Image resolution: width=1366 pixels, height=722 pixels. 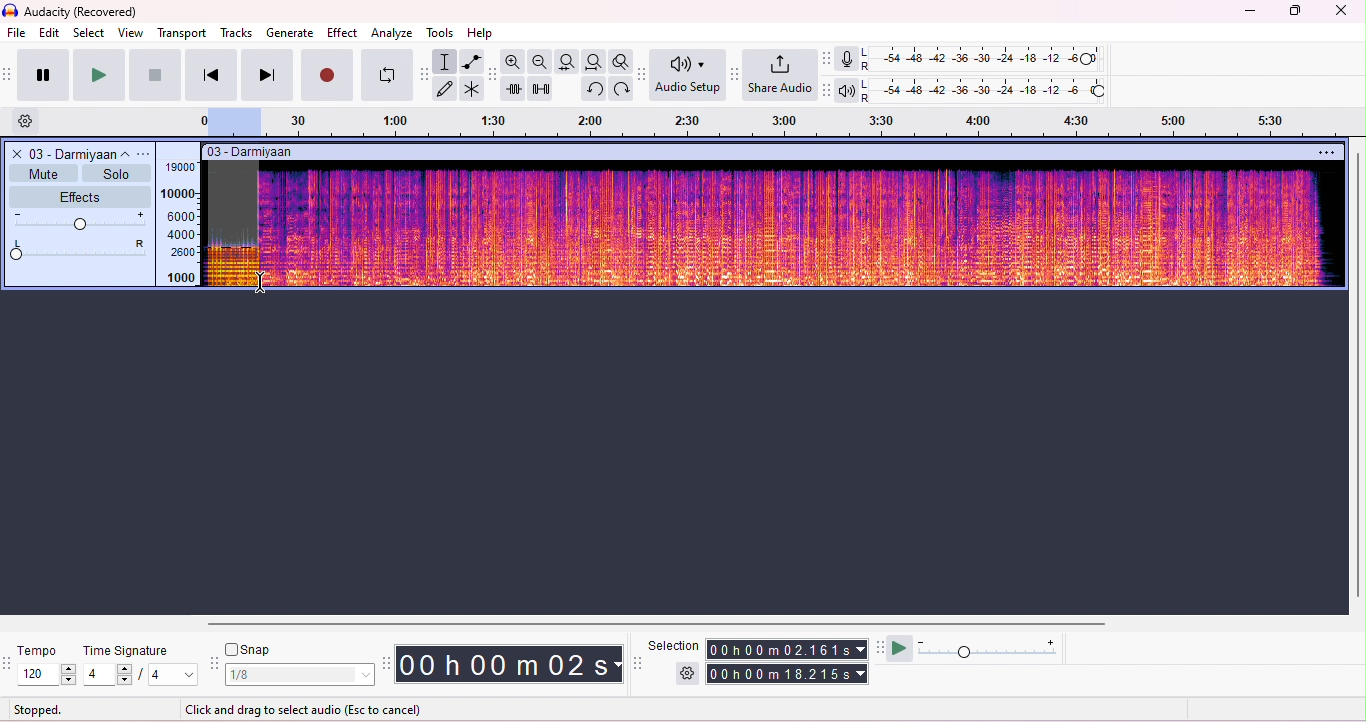 I want to click on file, so click(x=16, y=32).